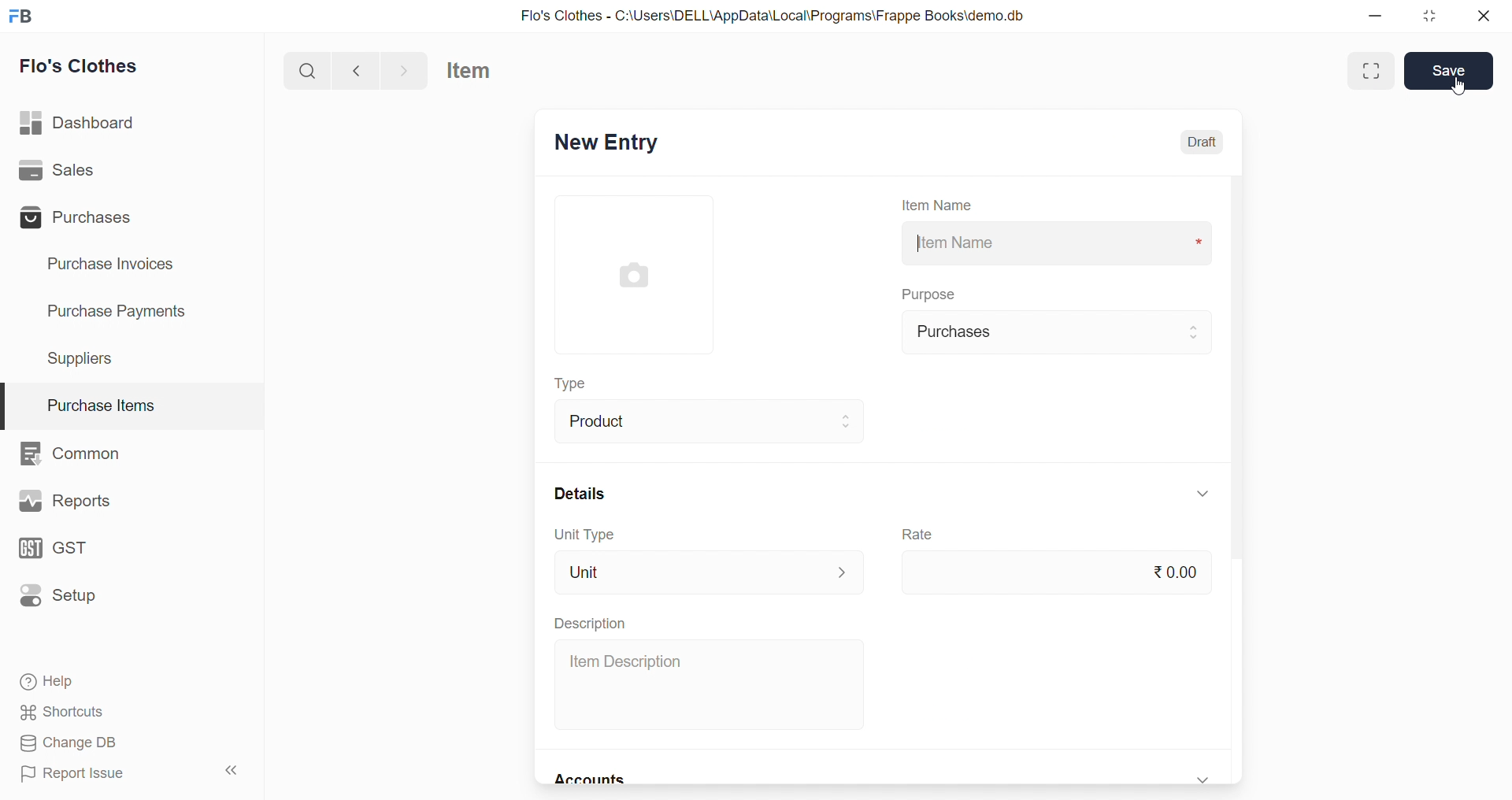 This screenshot has height=800, width=1512. Describe the element at coordinates (66, 501) in the screenshot. I see `Reports` at that location.